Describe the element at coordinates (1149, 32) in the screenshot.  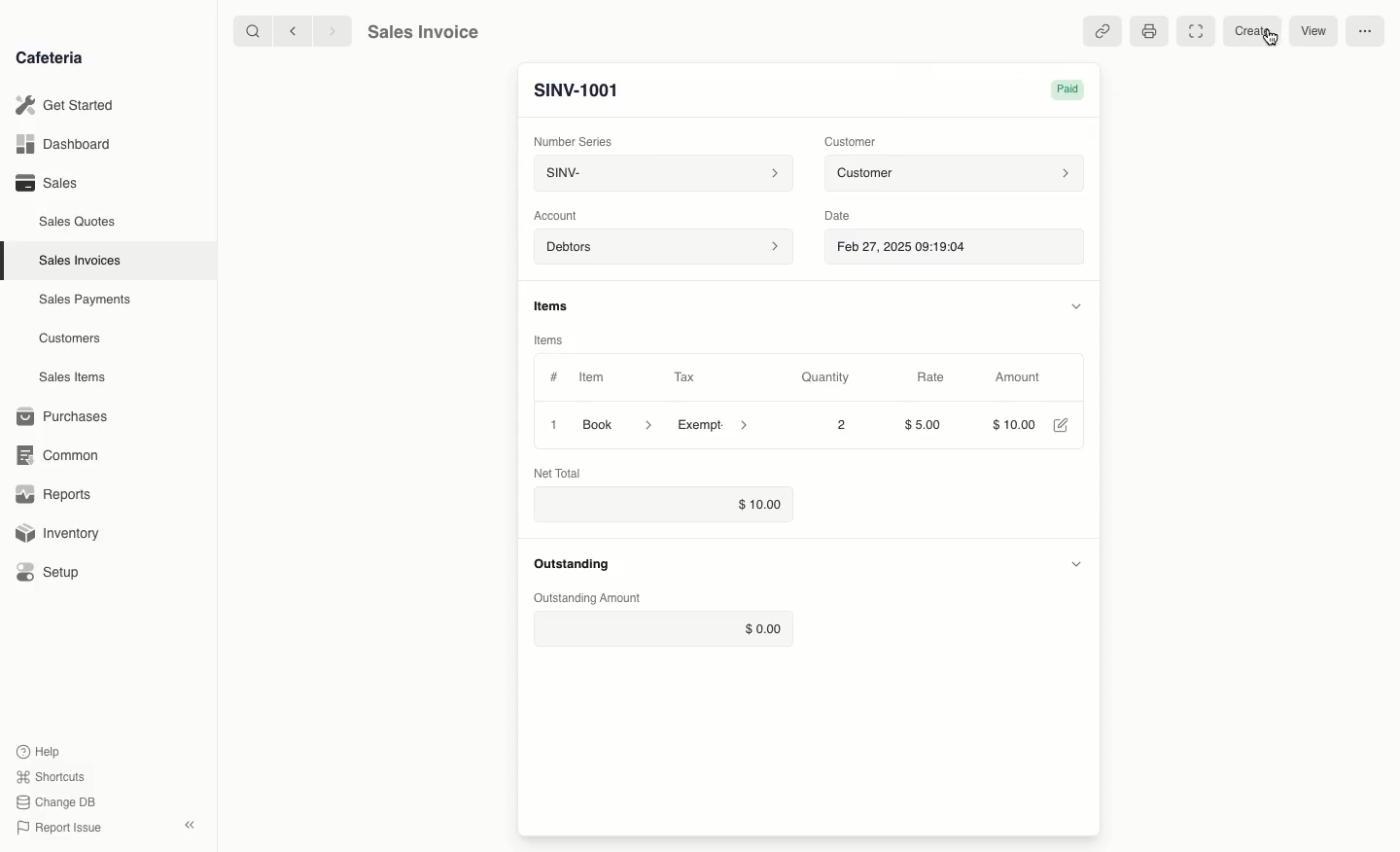
I see `Print` at that location.